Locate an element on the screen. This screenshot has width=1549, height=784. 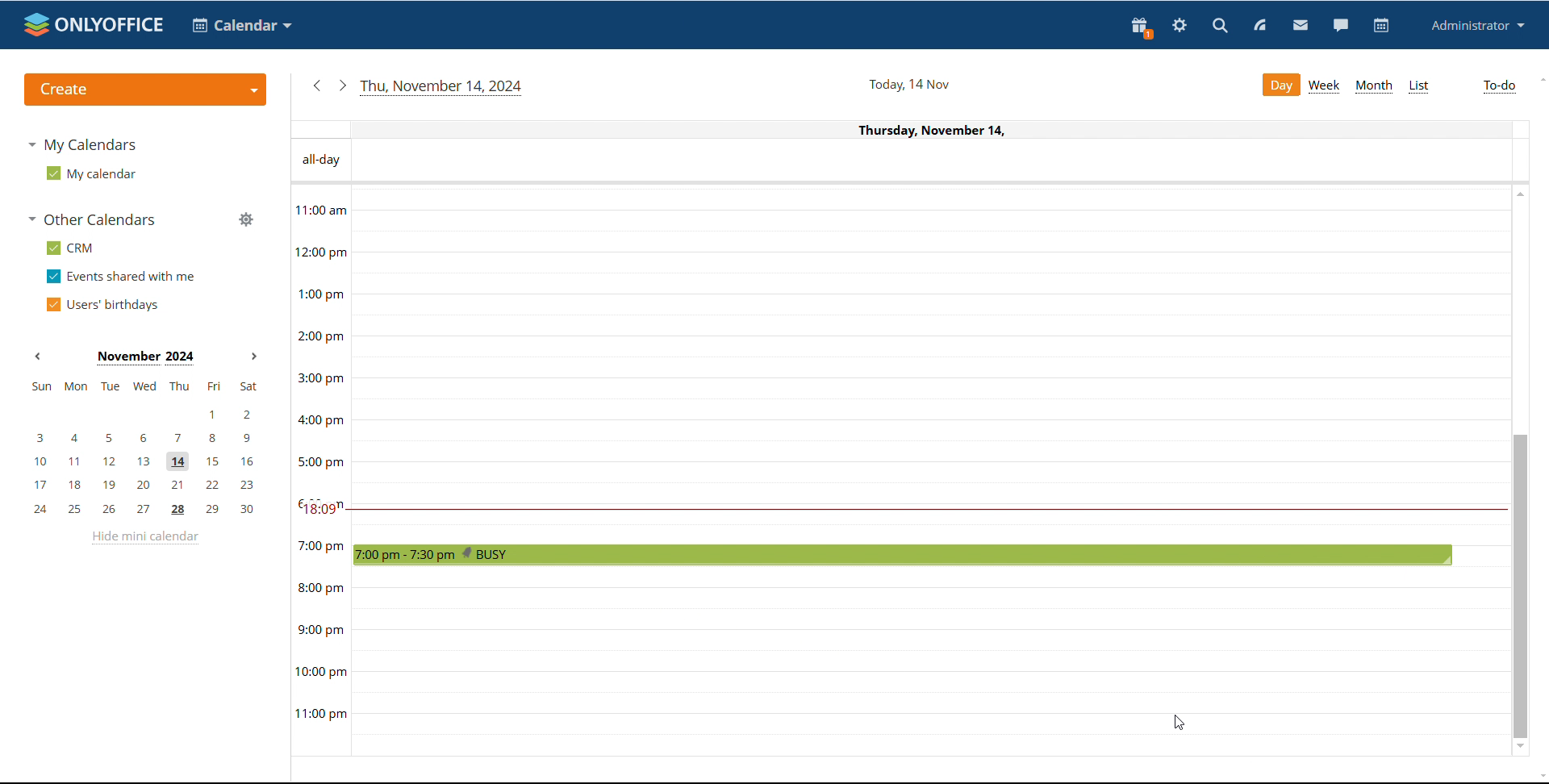
create is located at coordinates (145, 90).